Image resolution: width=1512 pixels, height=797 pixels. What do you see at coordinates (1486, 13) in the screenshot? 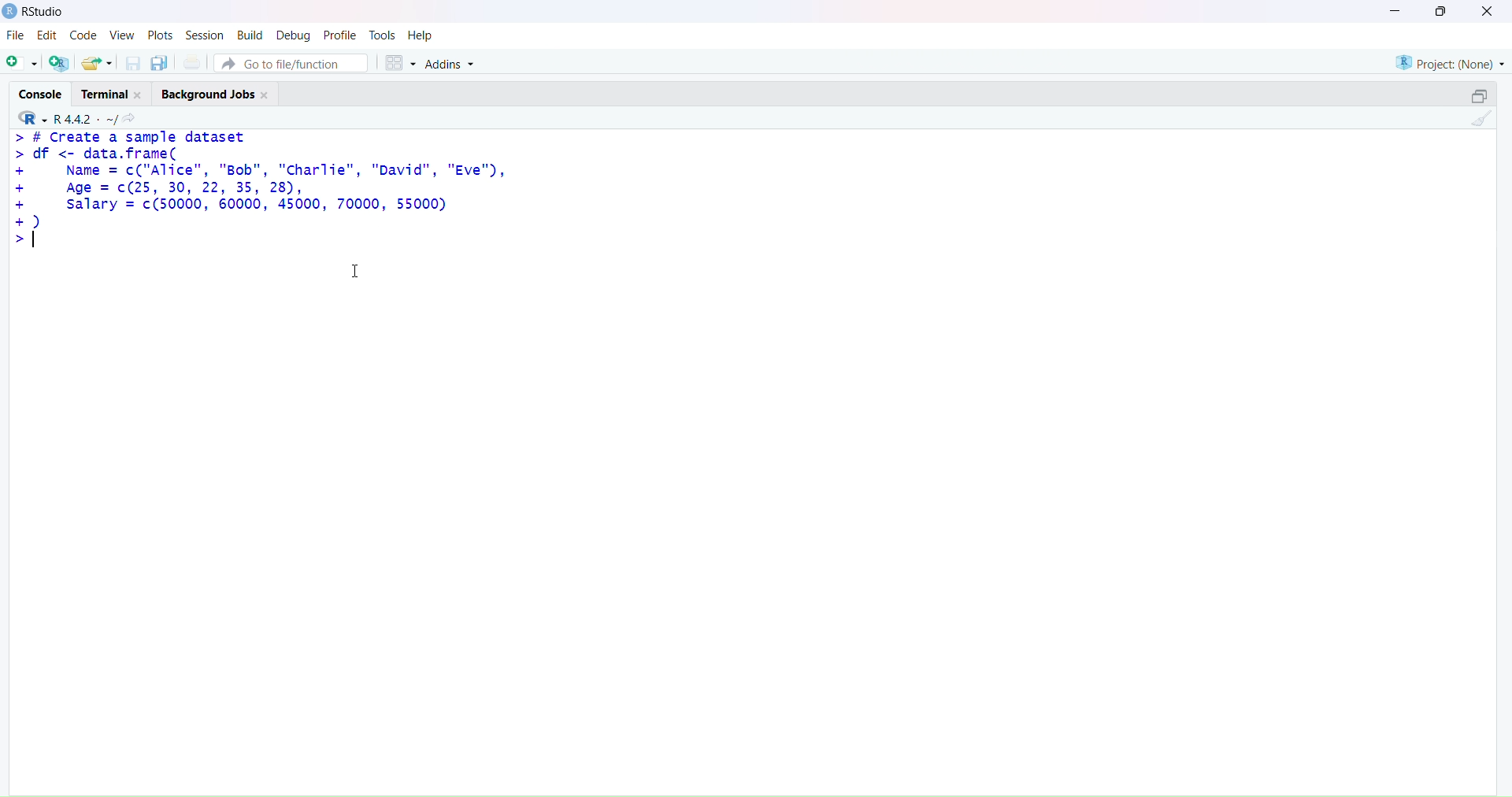
I see `close` at bounding box center [1486, 13].